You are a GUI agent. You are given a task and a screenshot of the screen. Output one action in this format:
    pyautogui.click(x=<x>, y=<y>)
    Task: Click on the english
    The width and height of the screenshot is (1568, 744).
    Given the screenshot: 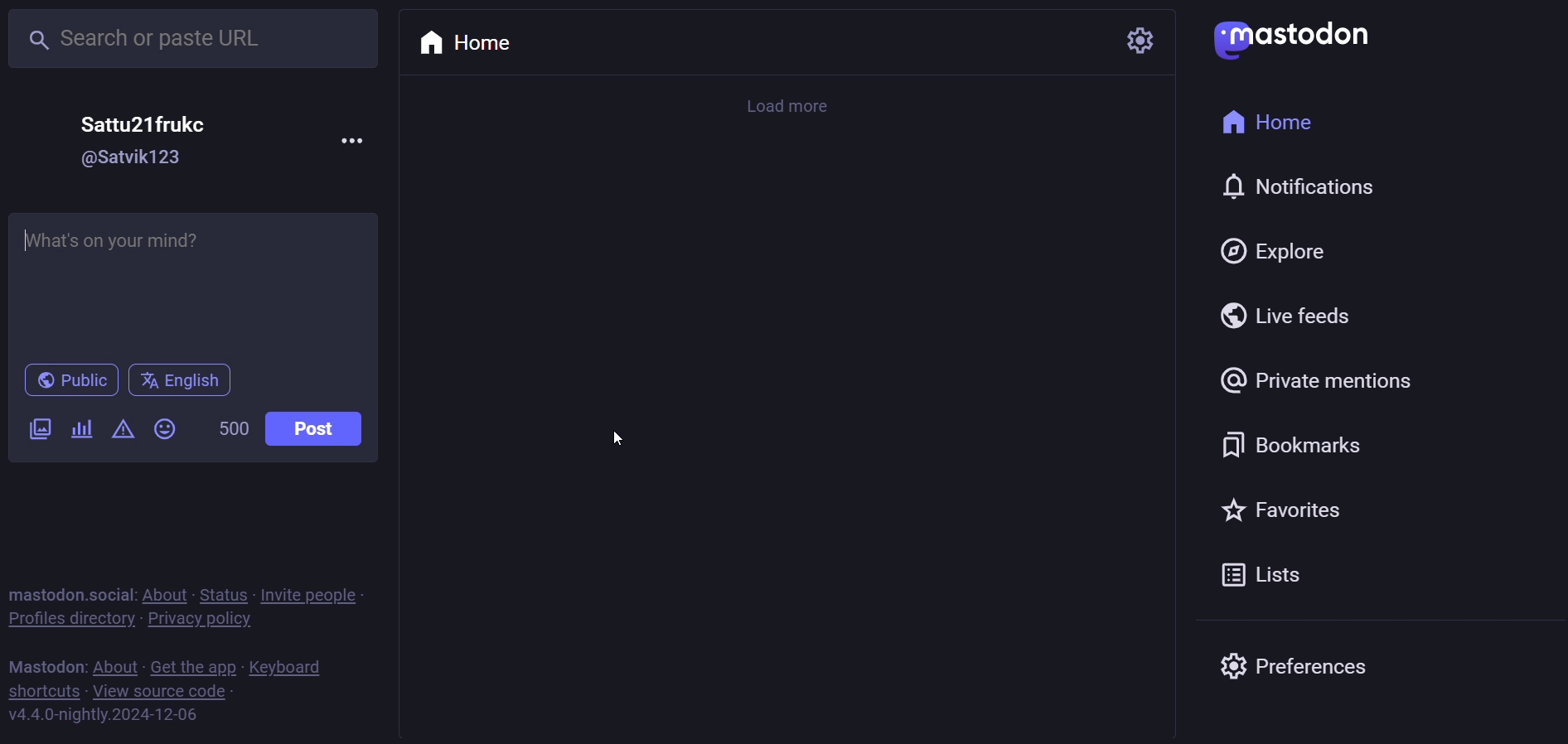 What is the action you would take?
    pyautogui.click(x=182, y=382)
    